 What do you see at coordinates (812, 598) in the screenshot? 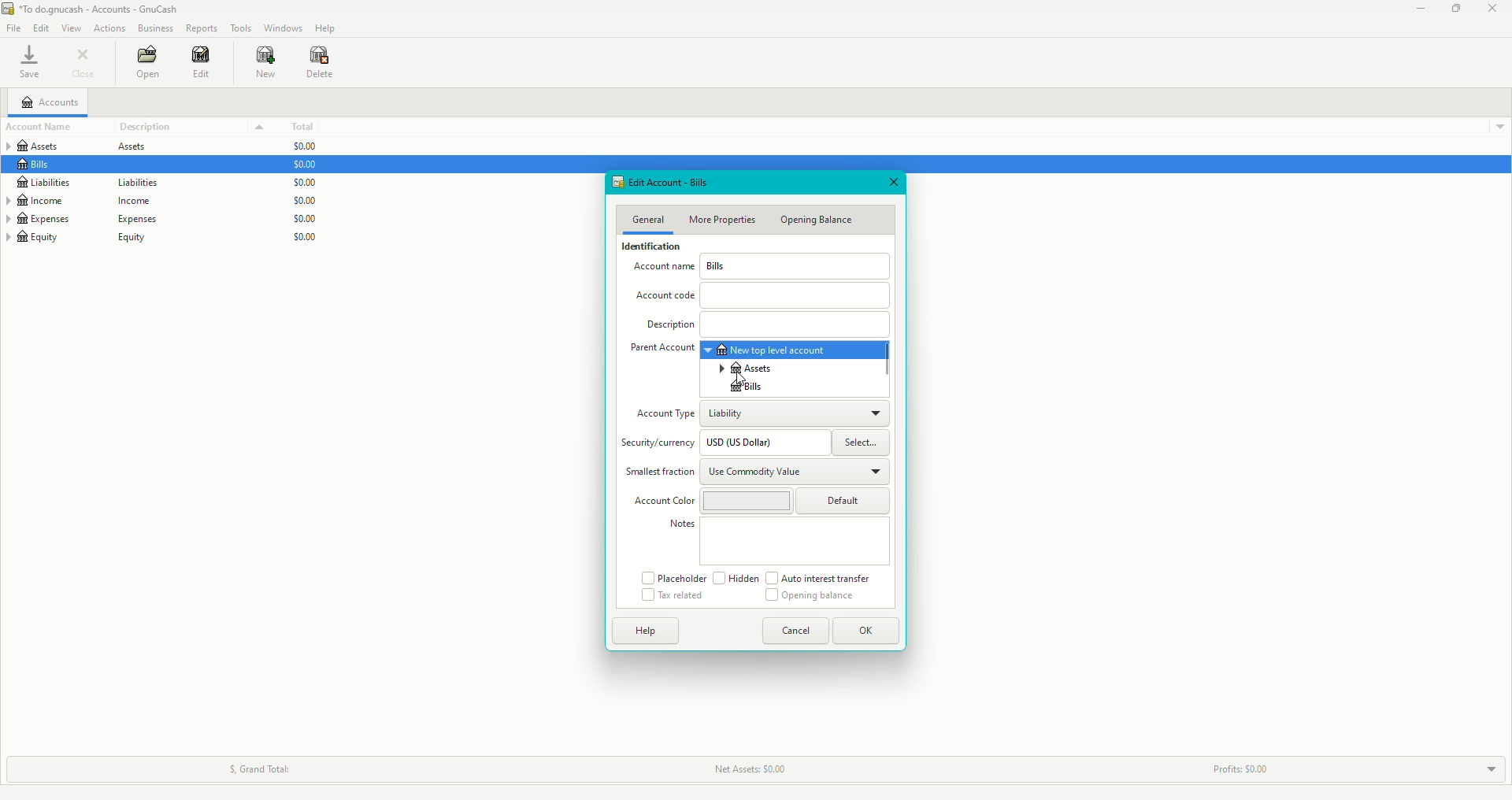
I see `Opening Balance` at bounding box center [812, 598].